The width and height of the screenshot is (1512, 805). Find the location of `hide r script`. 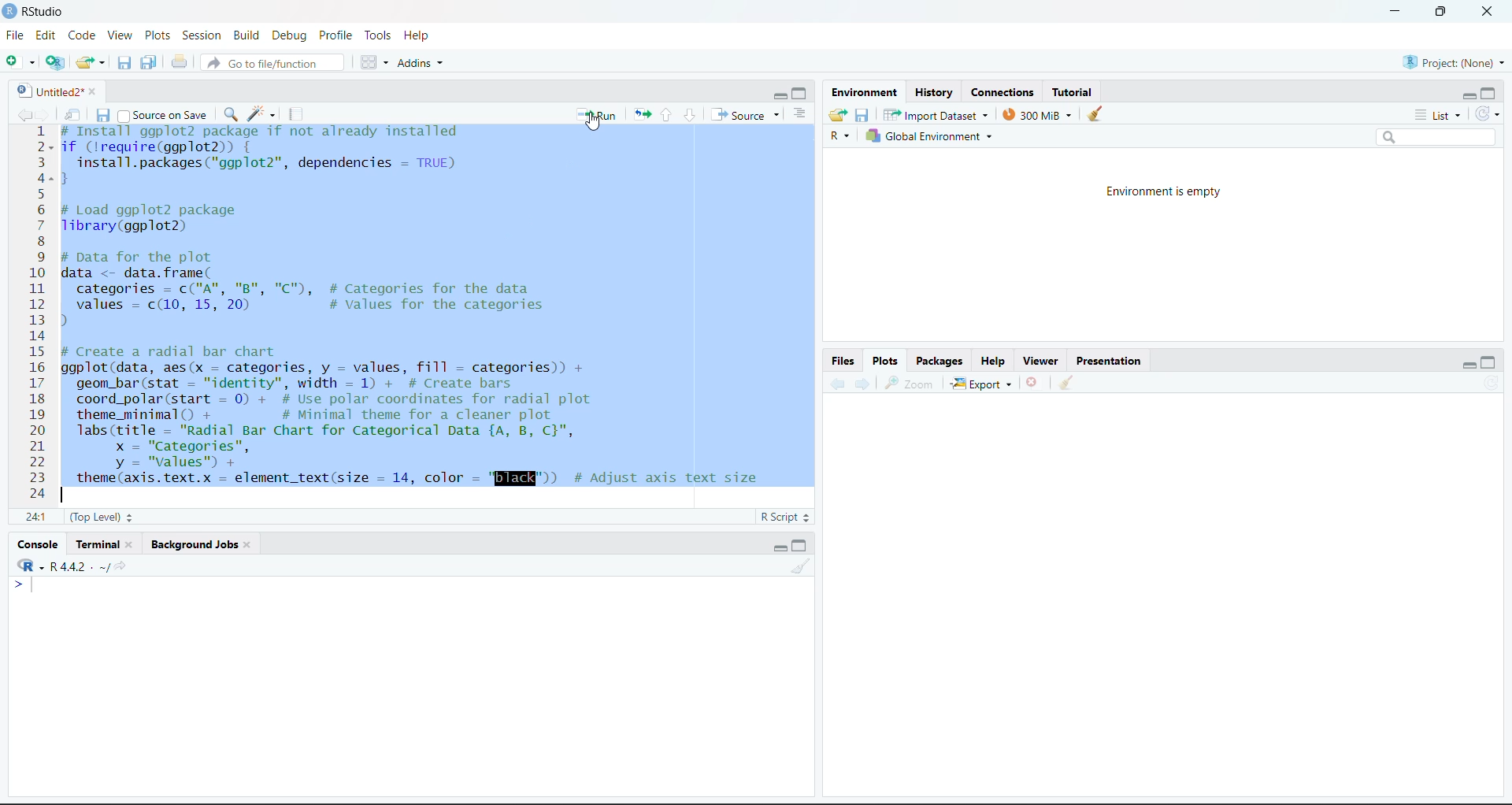

hide r script is located at coordinates (776, 546).